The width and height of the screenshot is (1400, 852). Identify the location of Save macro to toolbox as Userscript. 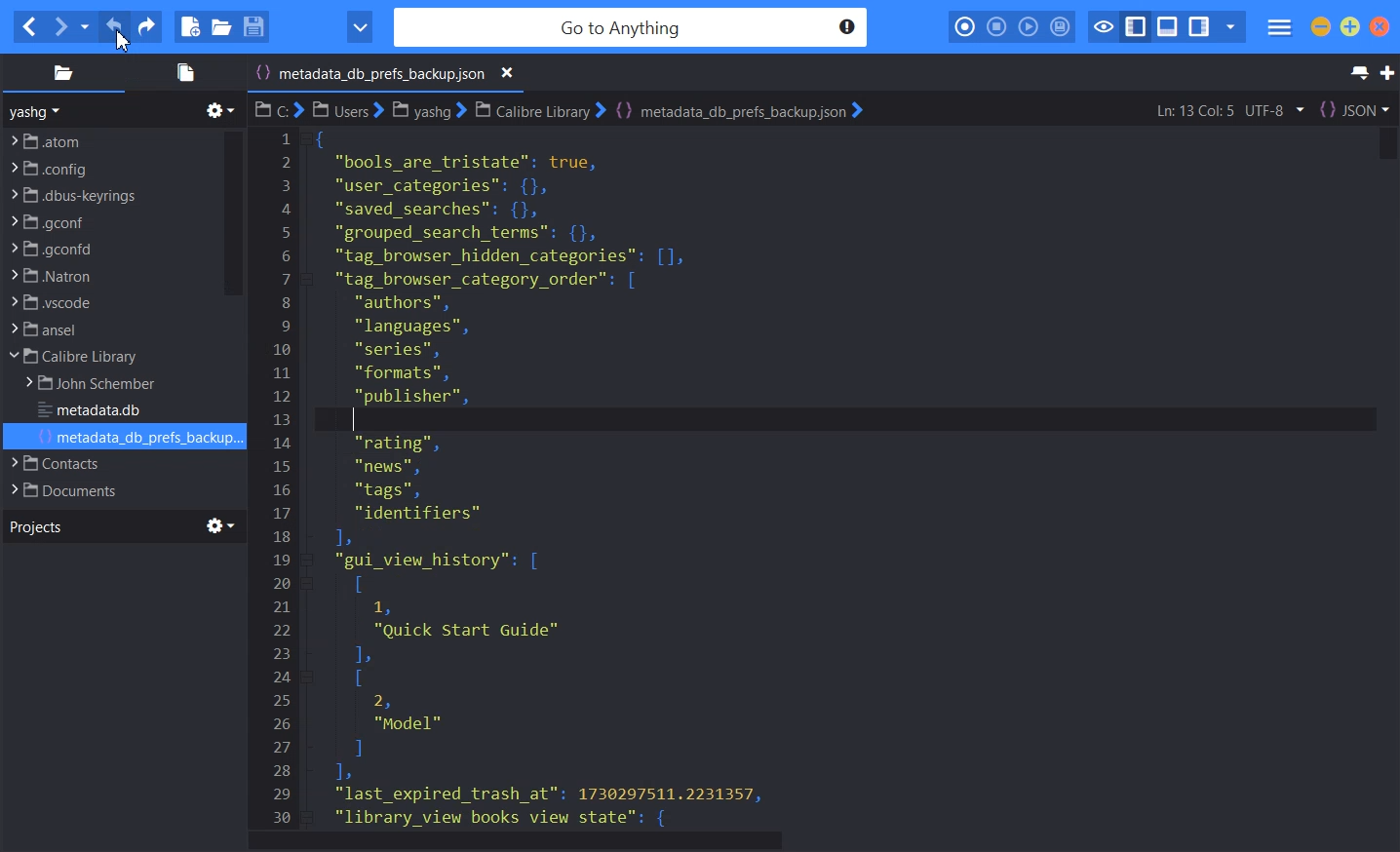
(1061, 26).